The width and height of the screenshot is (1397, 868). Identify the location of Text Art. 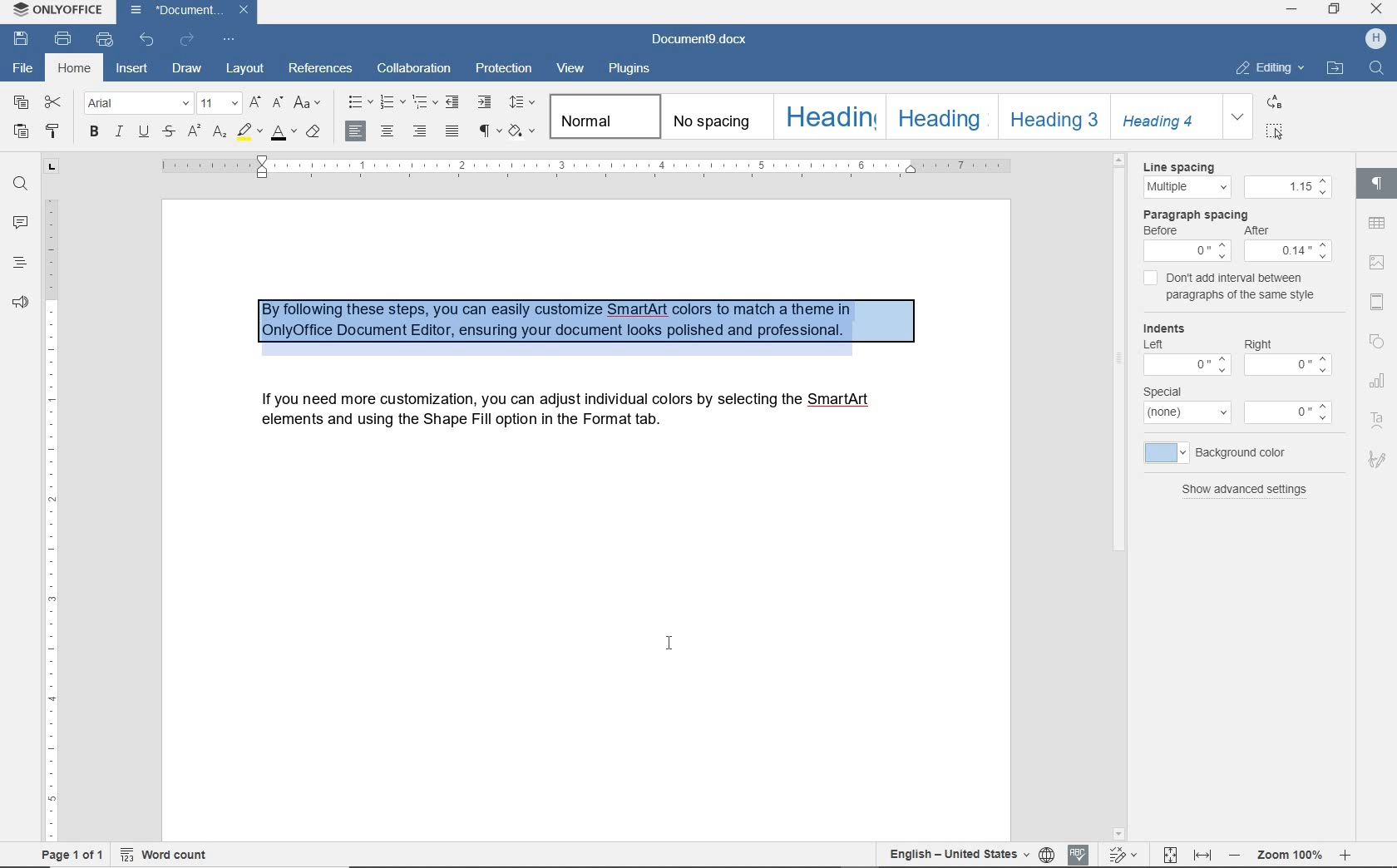
(1377, 418).